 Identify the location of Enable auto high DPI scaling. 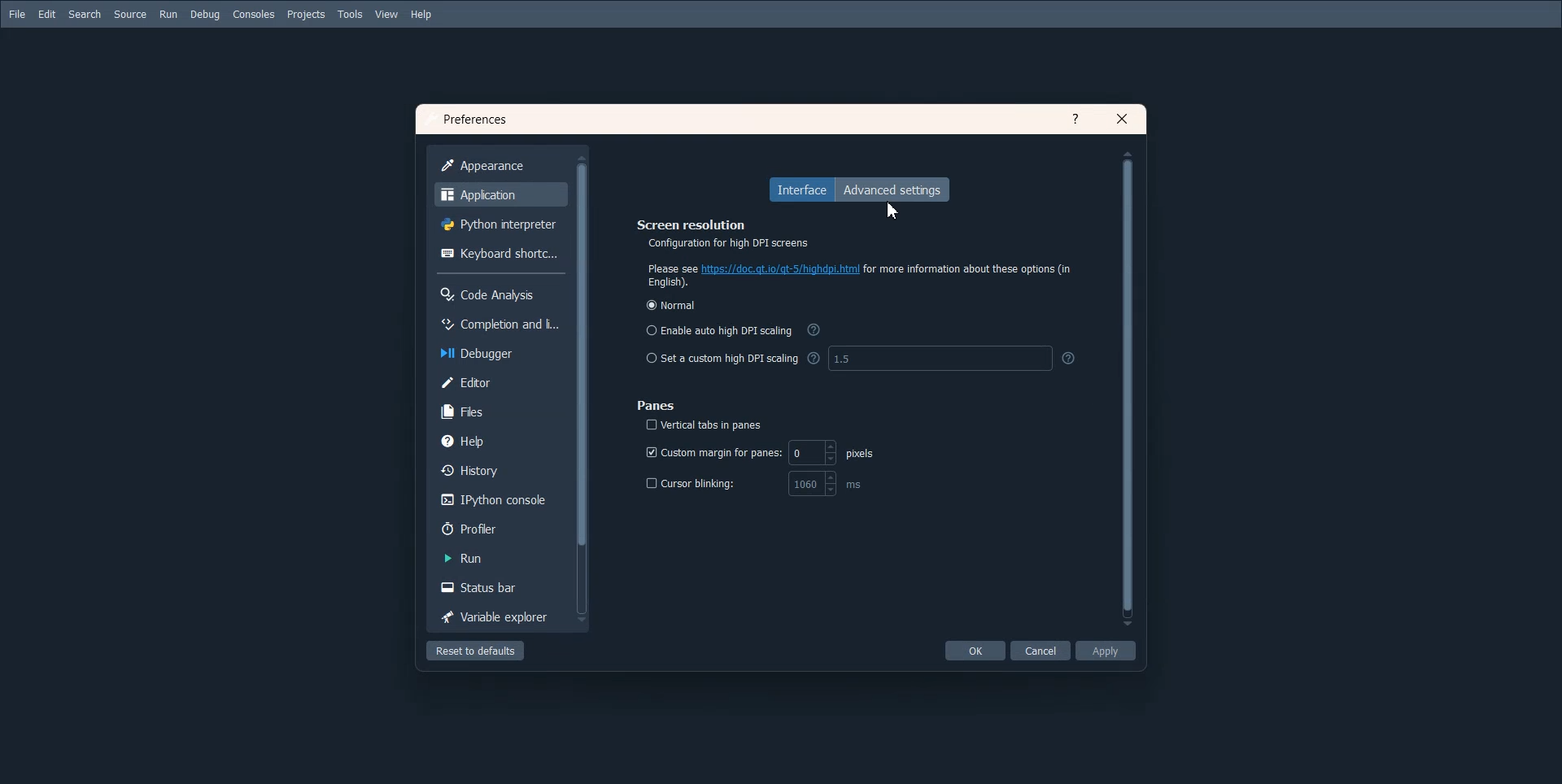
(718, 329).